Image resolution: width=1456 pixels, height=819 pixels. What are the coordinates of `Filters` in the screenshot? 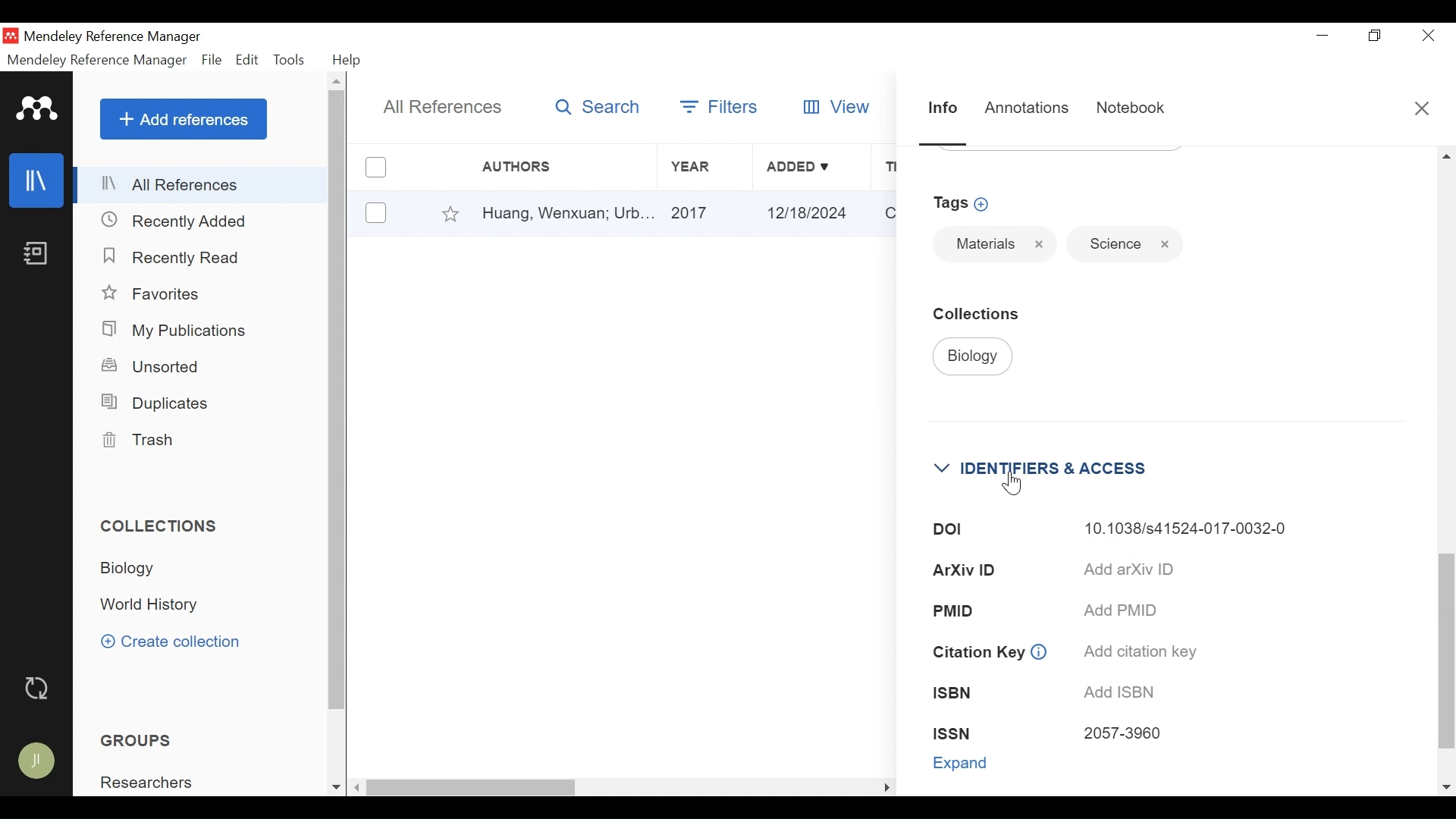 It's located at (720, 104).